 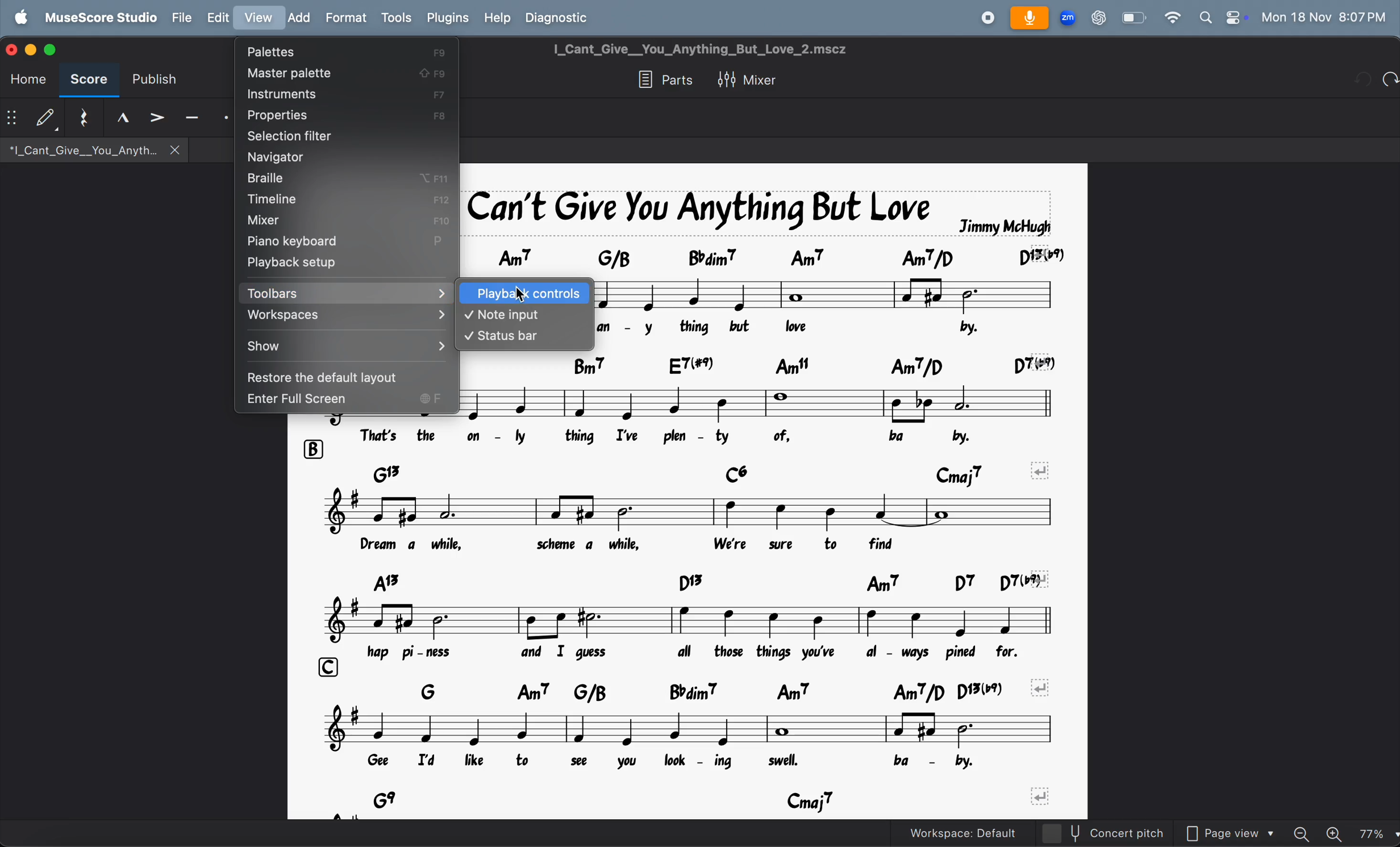 What do you see at coordinates (348, 318) in the screenshot?
I see `workspaces` at bounding box center [348, 318].